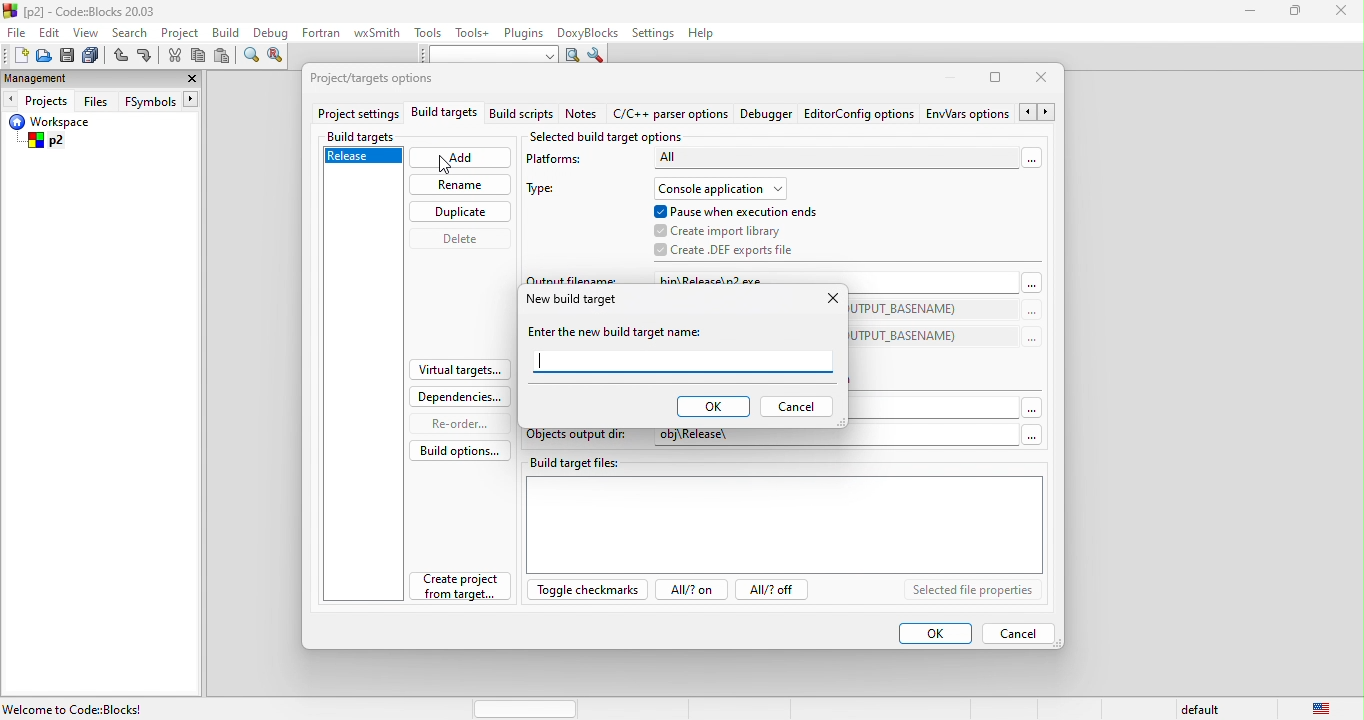 The height and width of the screenshot is (720, 1364). Describe the element at coordinates (463, 214) in the screenshot. I see `duplicate` at that location.